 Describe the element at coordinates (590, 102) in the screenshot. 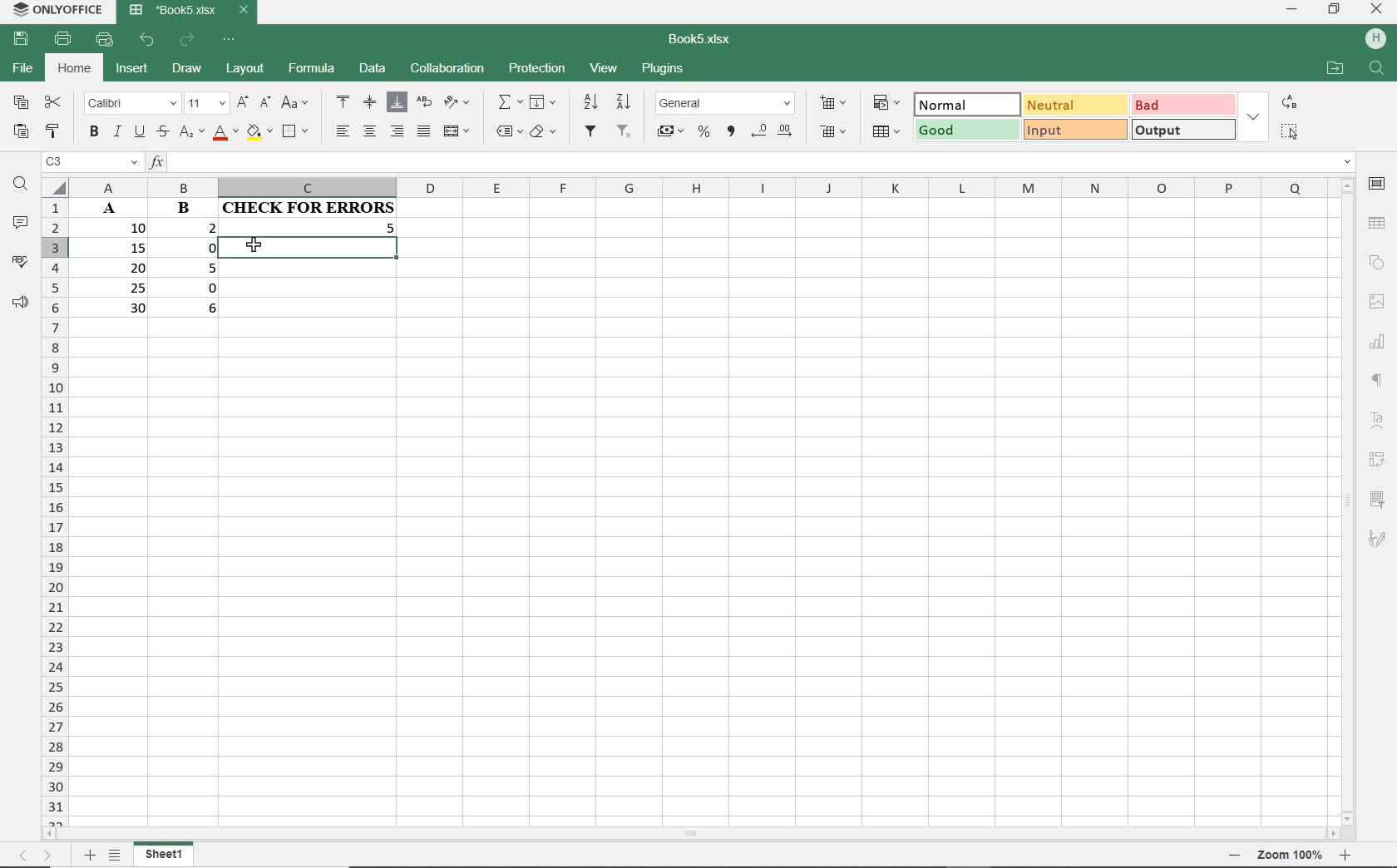

I see `SORT DESCENDING` at that location.